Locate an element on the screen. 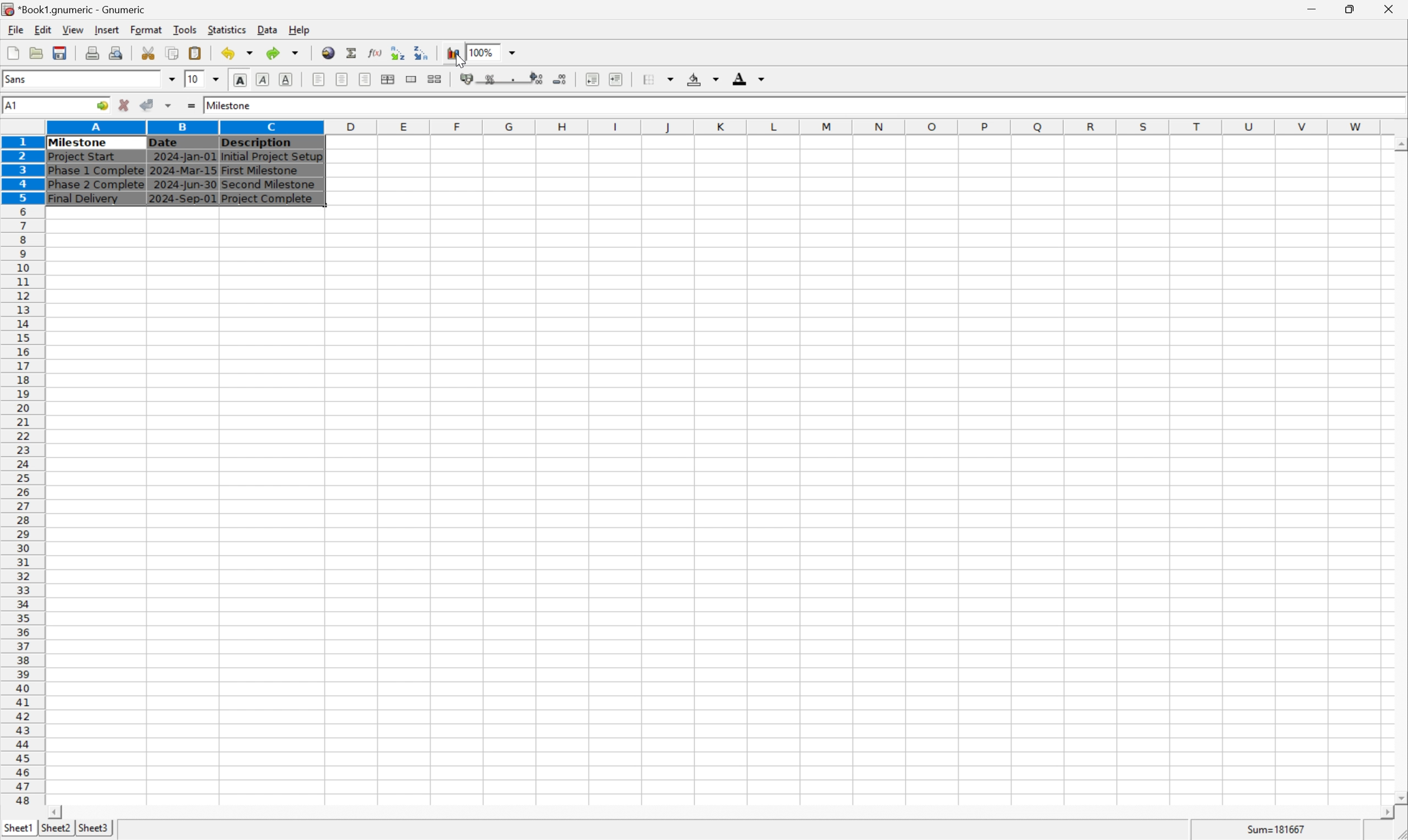 The width and height of the screenshot is (1408, 840). edit is located at coordinates (44, 29).